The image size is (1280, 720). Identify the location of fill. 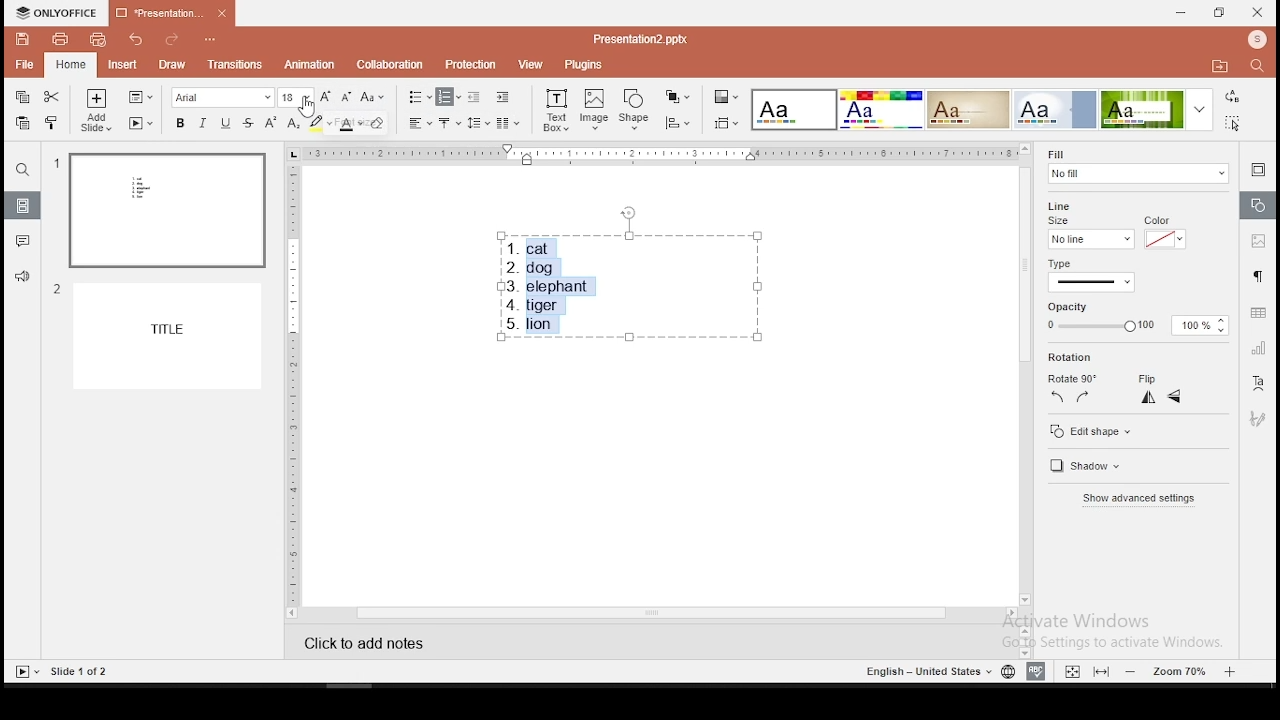
(1135, 168).